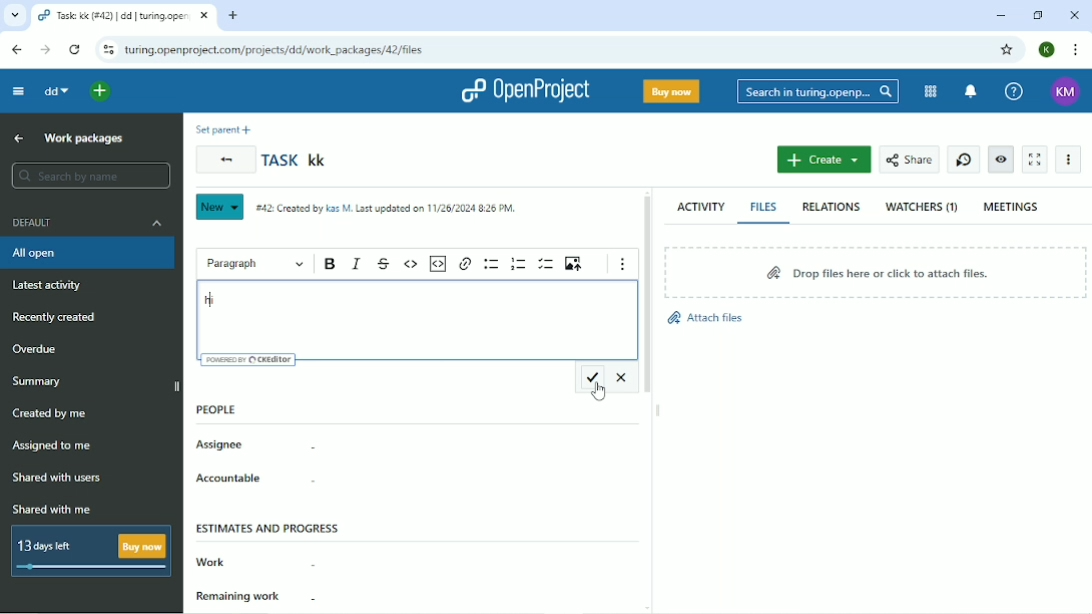  Describe the element at coordinates (224, 130) in the screenshot. I see `Set parent` at that location.